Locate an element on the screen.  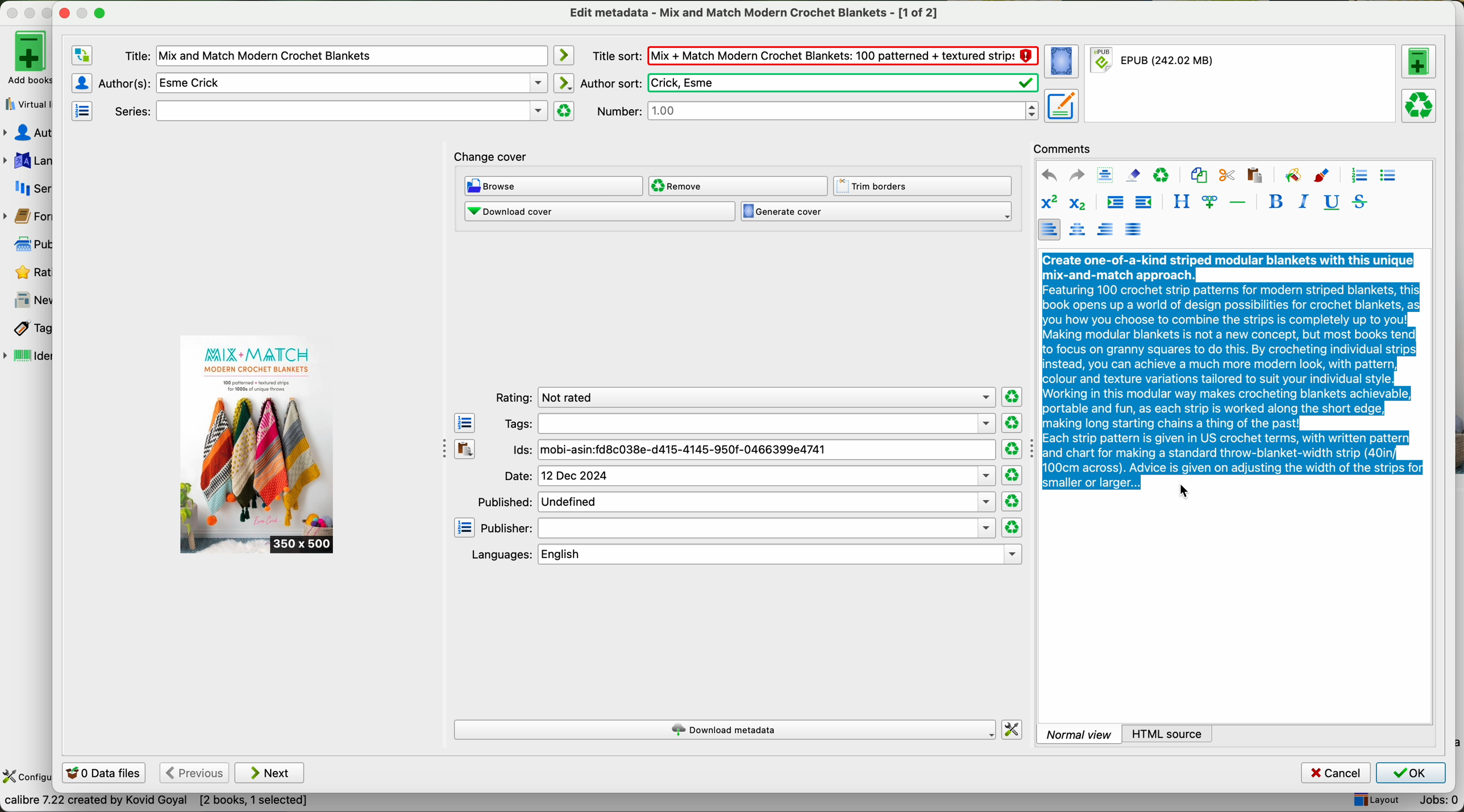
strikeout is located at coordinates (1358, 201).